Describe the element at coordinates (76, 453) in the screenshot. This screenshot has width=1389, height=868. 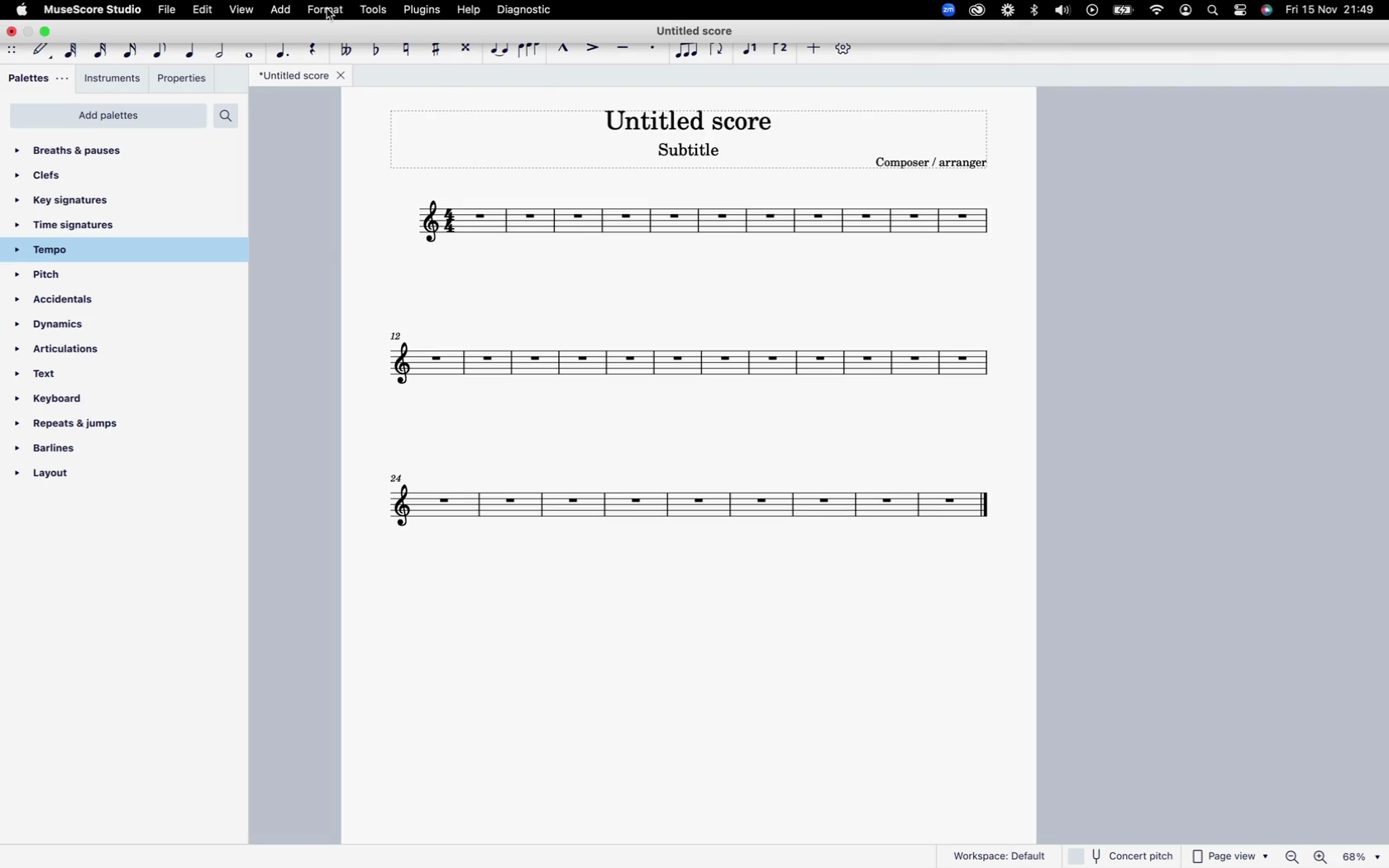
I see `barlines` at that location.